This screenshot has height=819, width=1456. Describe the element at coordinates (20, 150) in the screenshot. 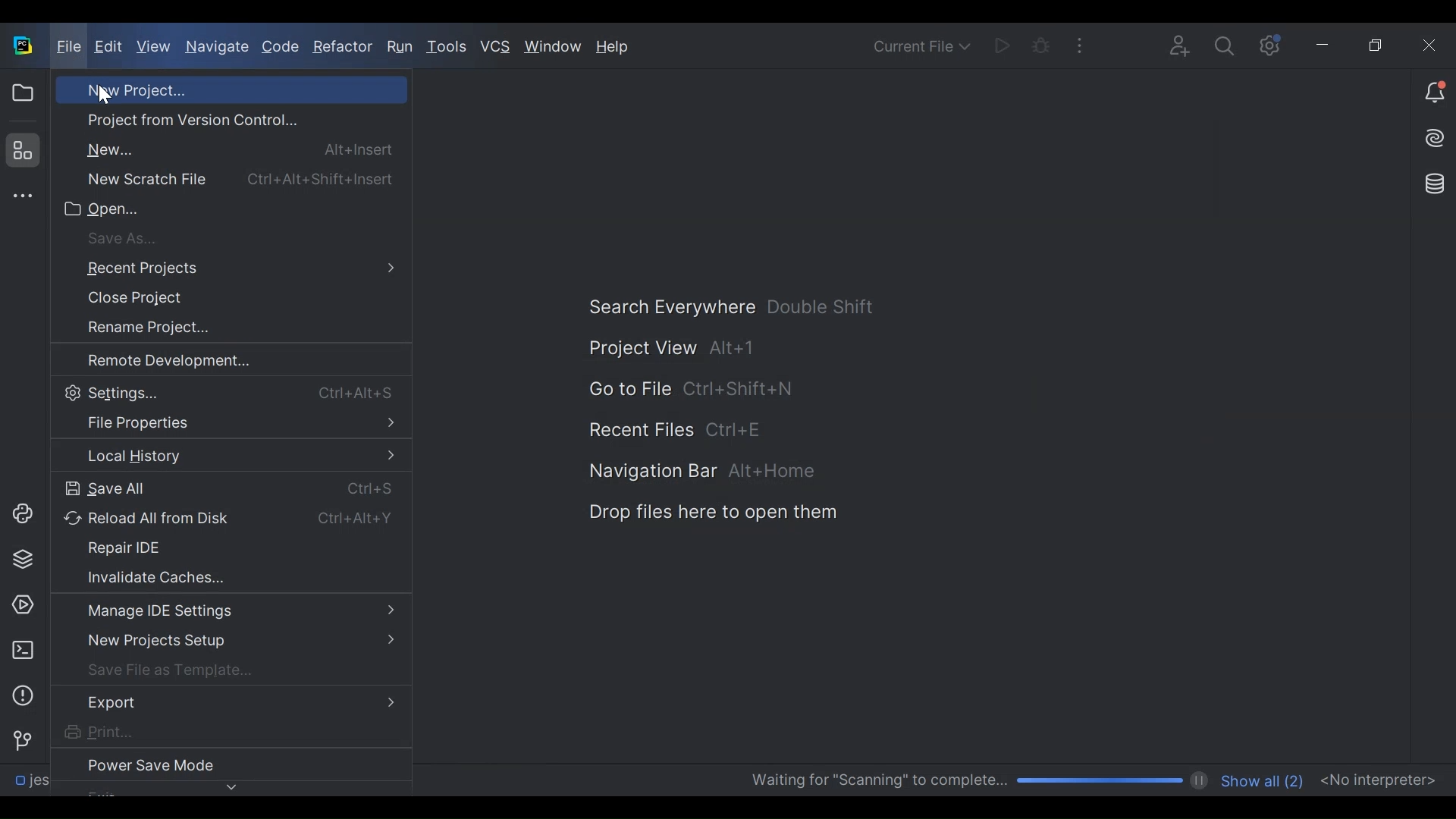

I see `Structure` at that location.